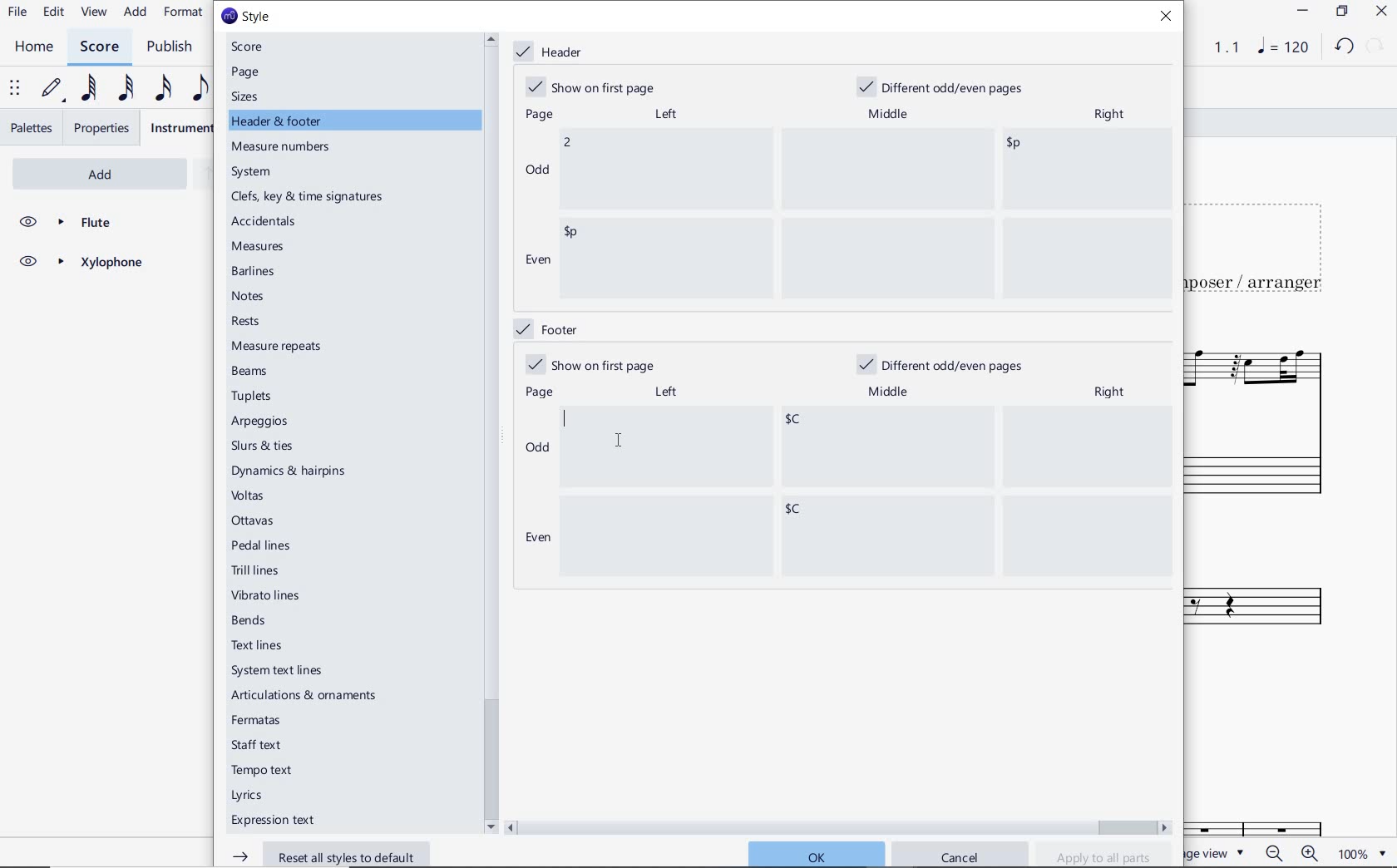 The width and height of the screenshot is (1397, 868). I want to click on data entered "2", so click(866, 214).